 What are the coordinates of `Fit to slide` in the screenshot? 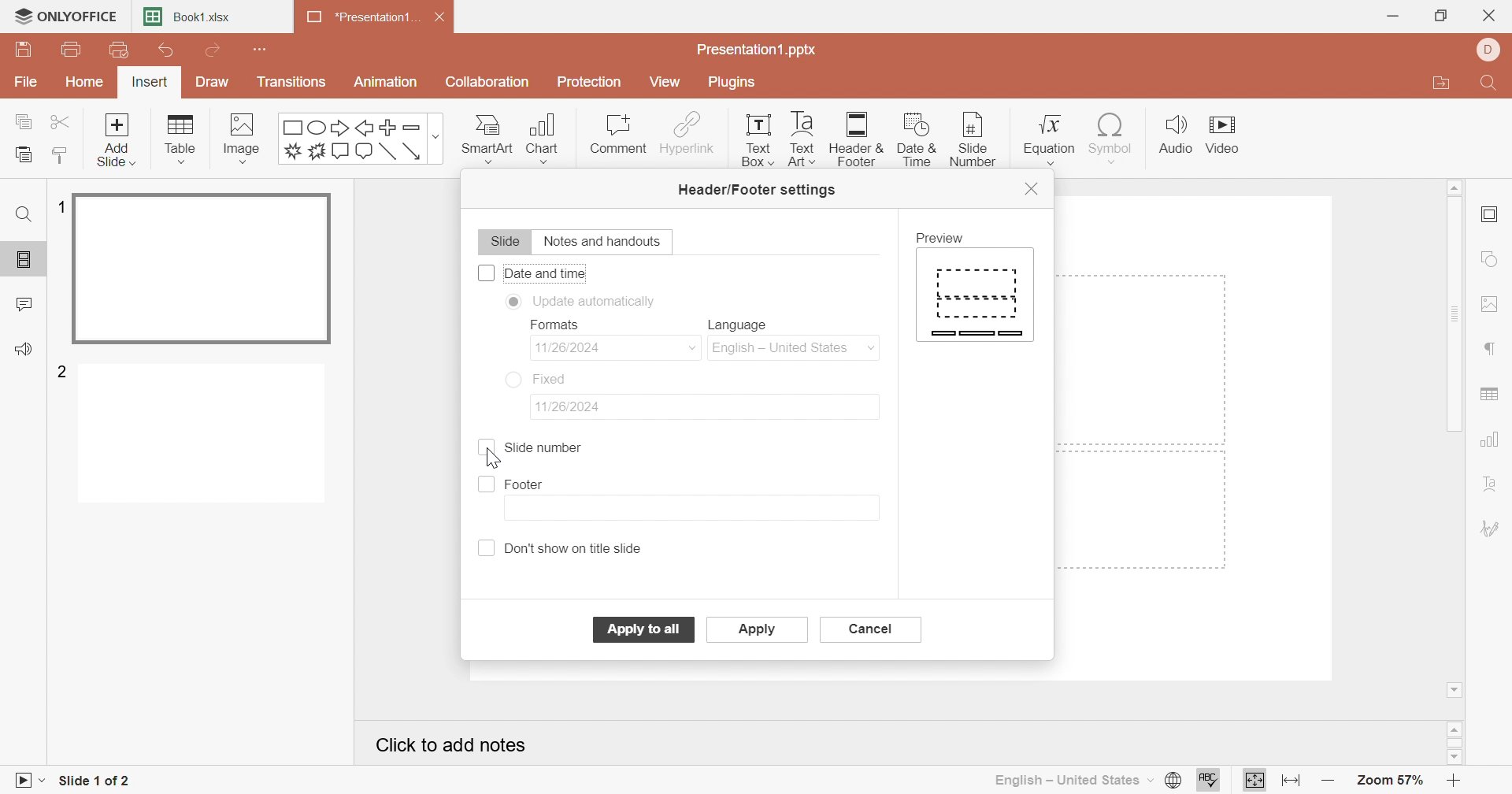 It's located at (1255, 780).